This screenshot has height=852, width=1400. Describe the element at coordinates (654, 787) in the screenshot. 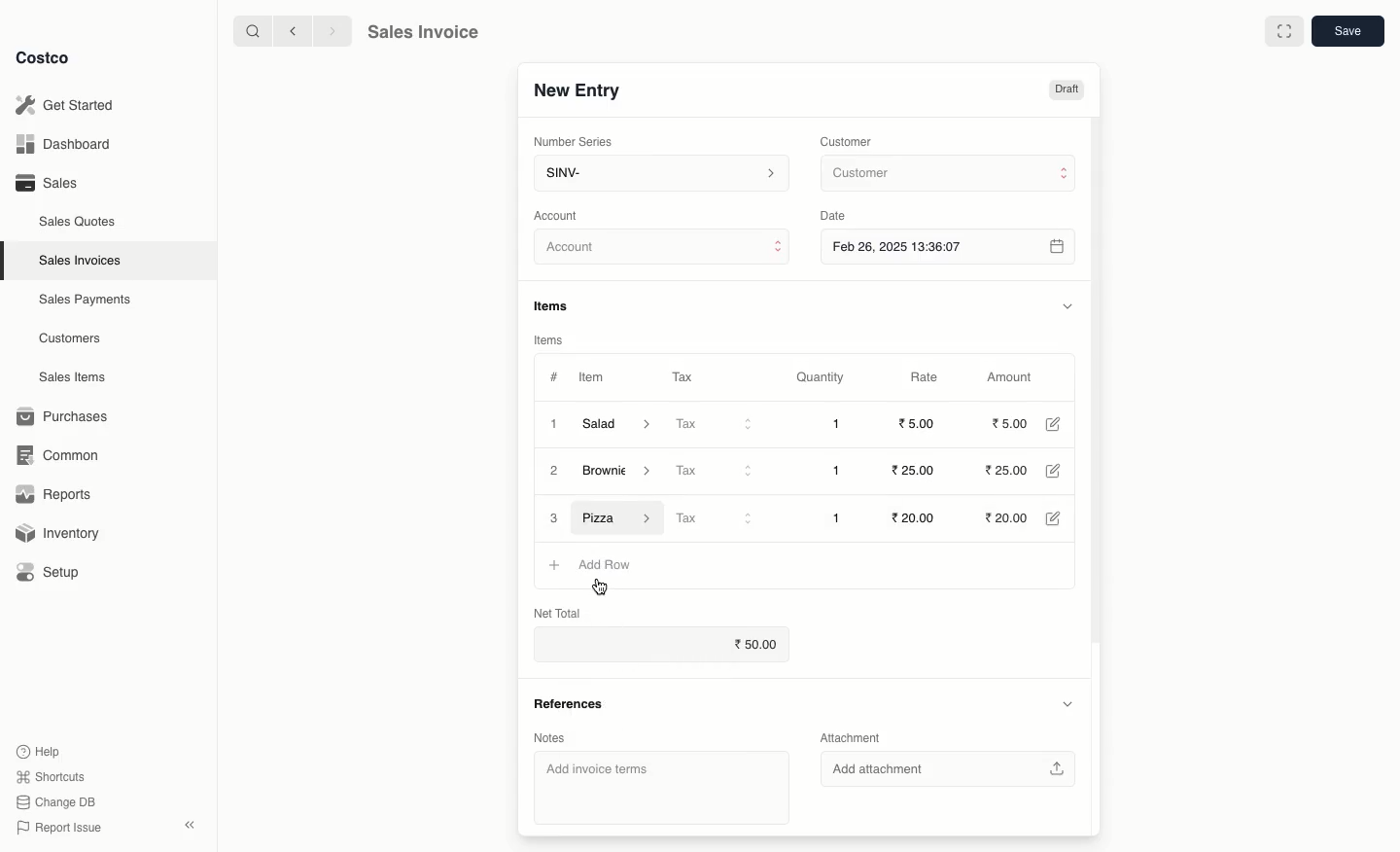

I see `‘Add invoice terms` at that location.